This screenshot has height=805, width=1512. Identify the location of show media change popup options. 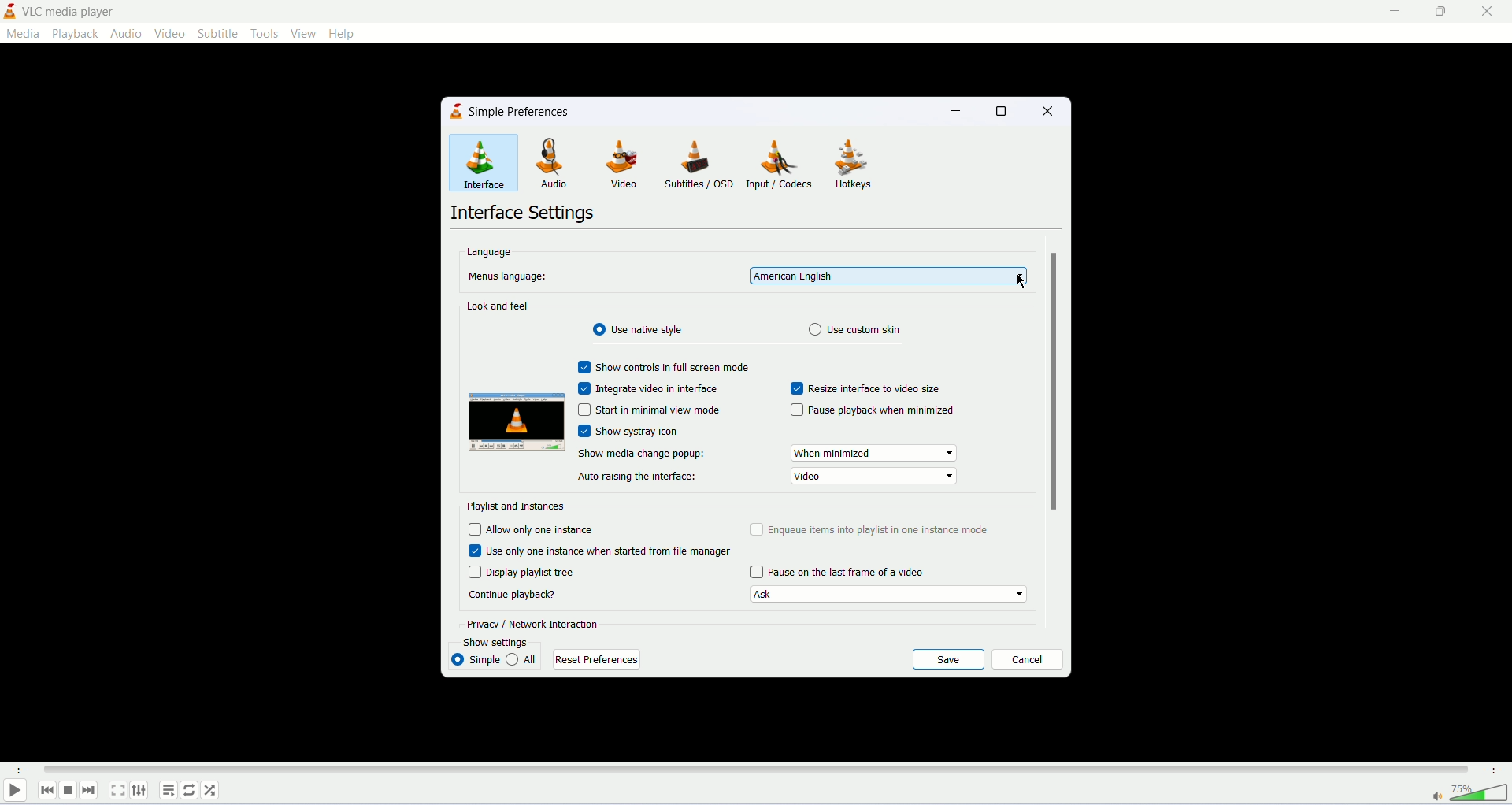
(872, 477).